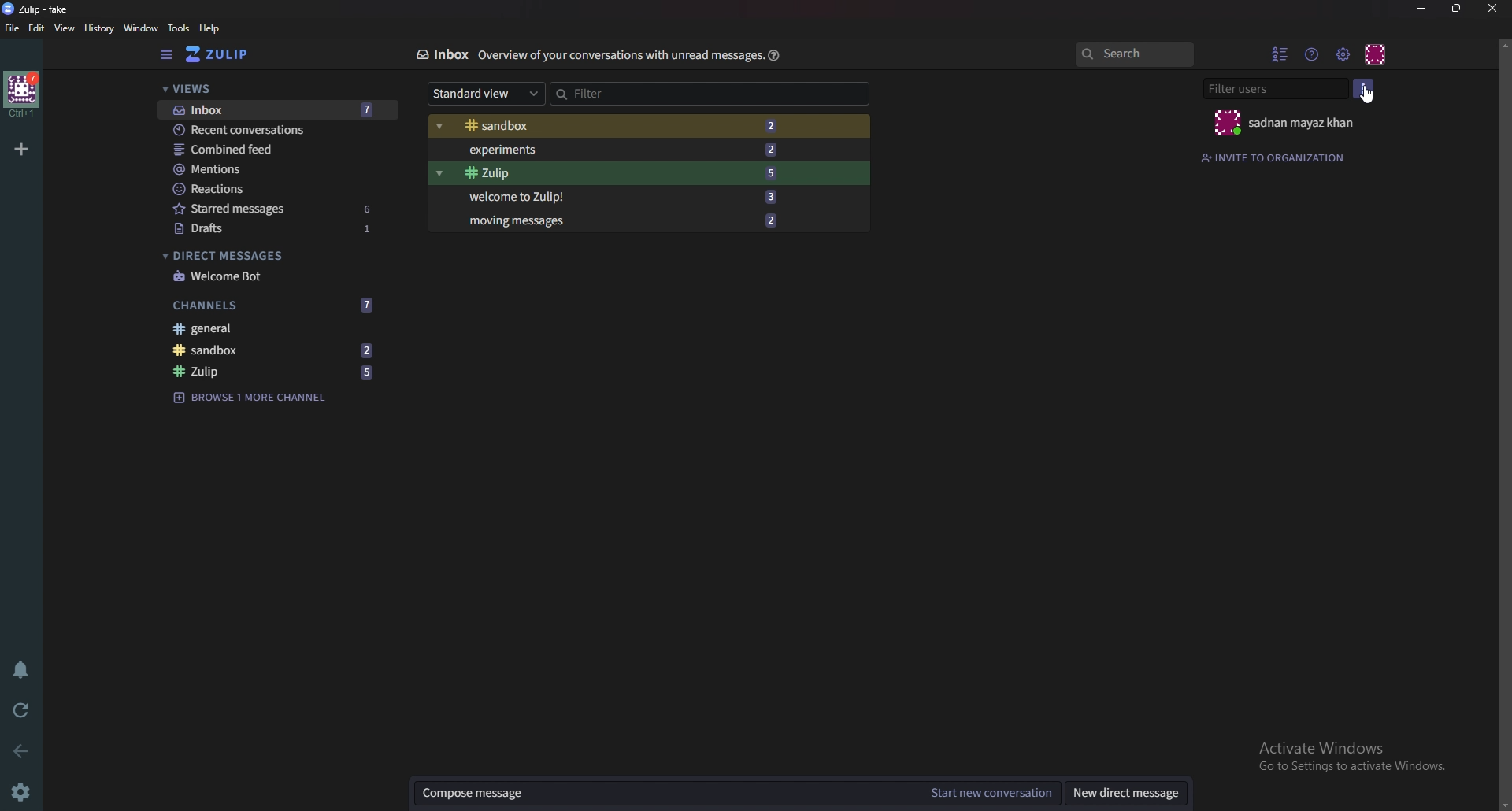 The width and height of the screenshot is (1512, 811). Describe the element at coordinates (212, 28) in the screenshot. I see `help` at that location.